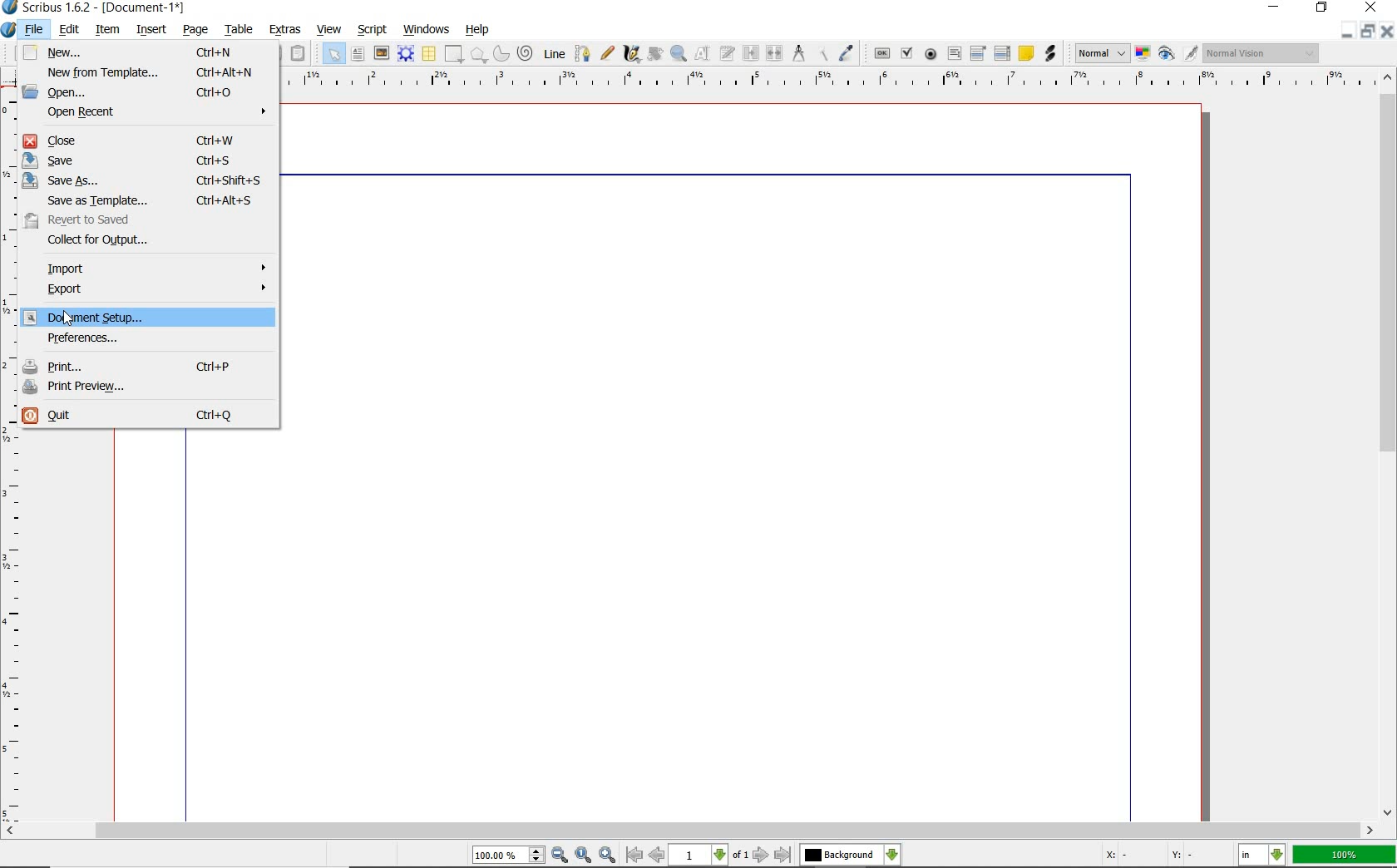  What do you see at coordinates (373, 30) in the screenshot?
I see `script` at bounding box center [373, 30].